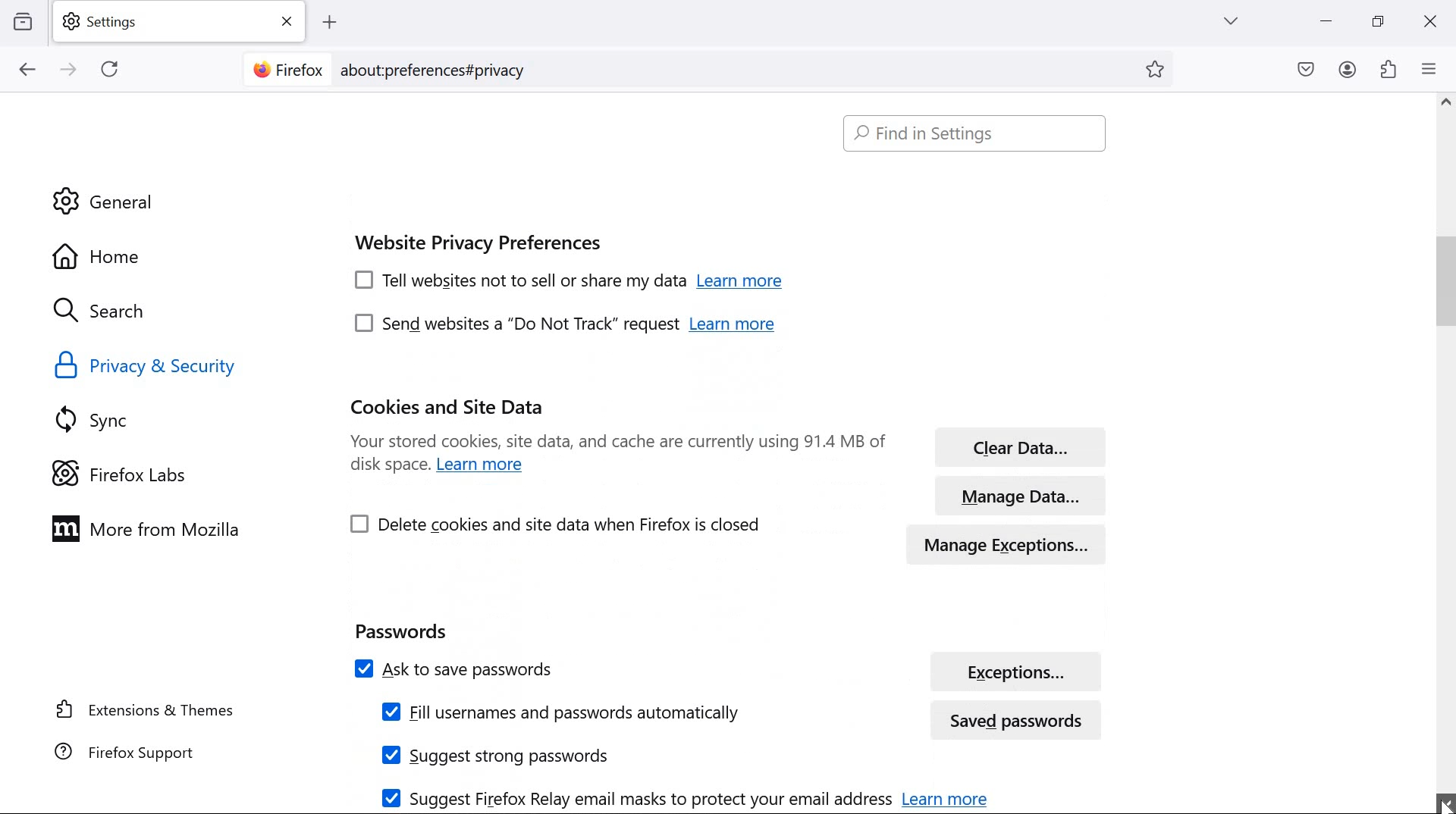 Image resolution: width=1456 pixels, height=814 pixels. Describe the element at coordinates (115, 312) in the screenshot. I see `search` at that location.